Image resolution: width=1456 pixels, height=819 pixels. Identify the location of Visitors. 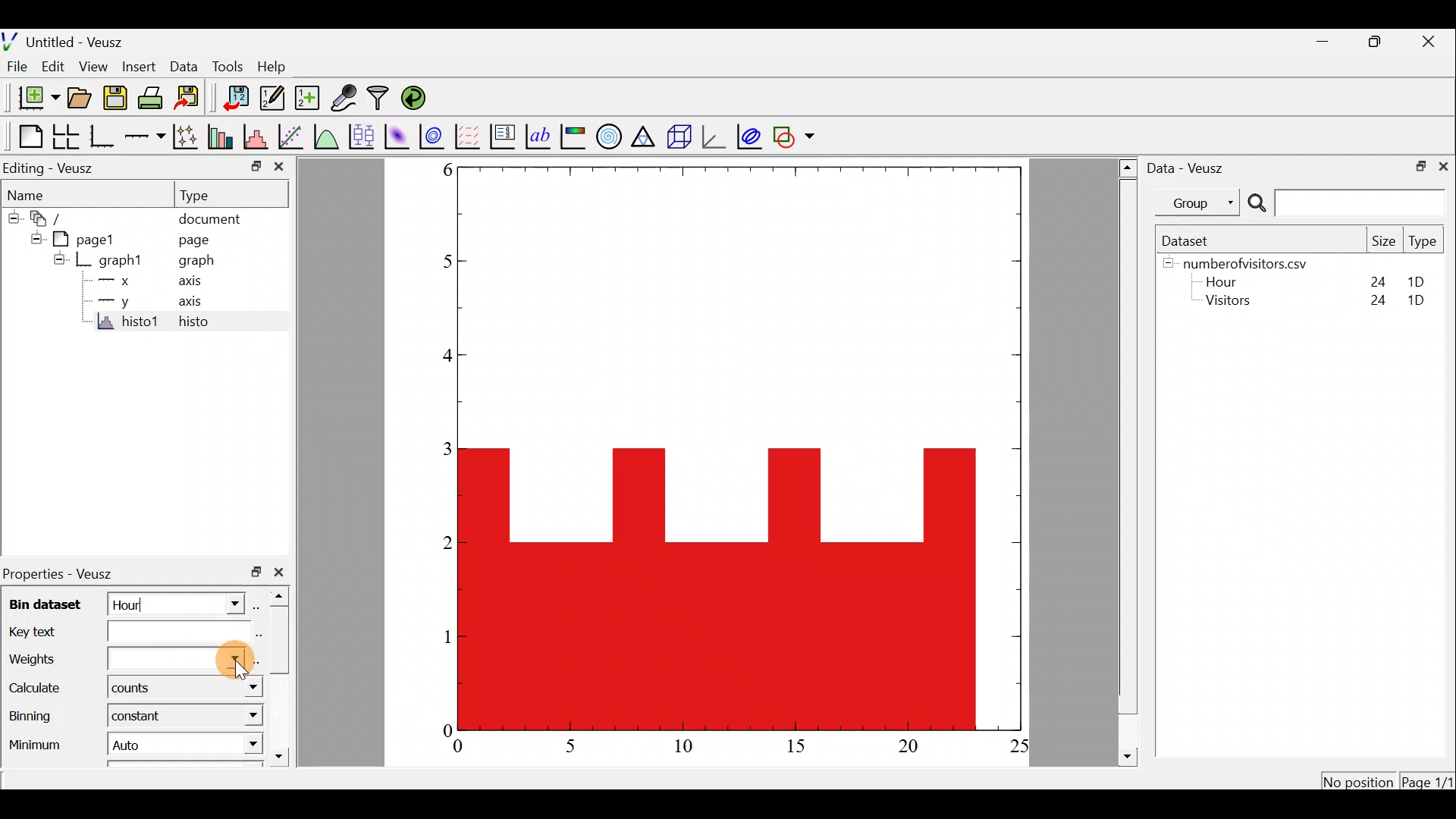
(1234, 303).